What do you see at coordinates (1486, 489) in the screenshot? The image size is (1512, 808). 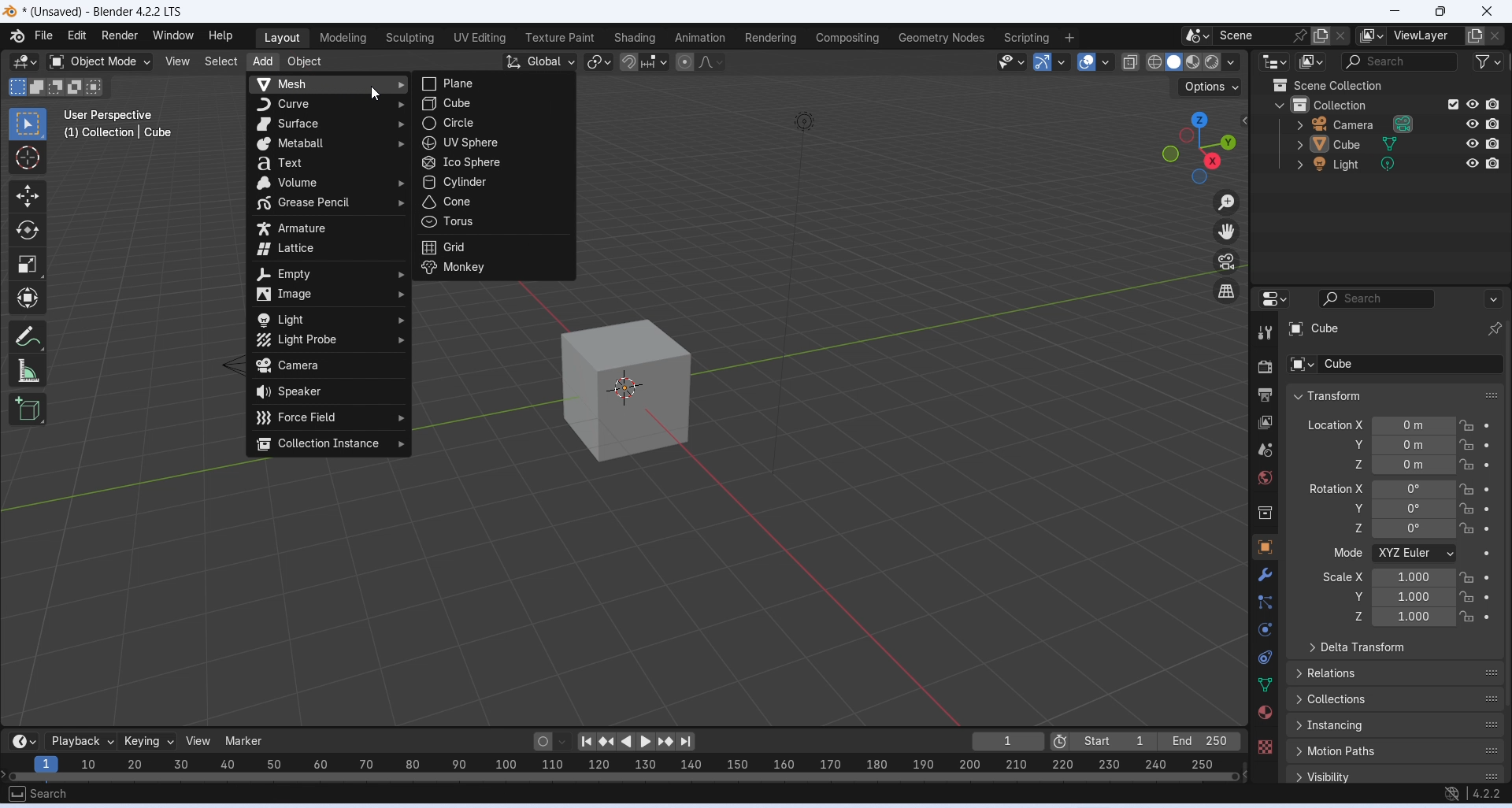 I see `animate property` at bounding box center [1486, 489].